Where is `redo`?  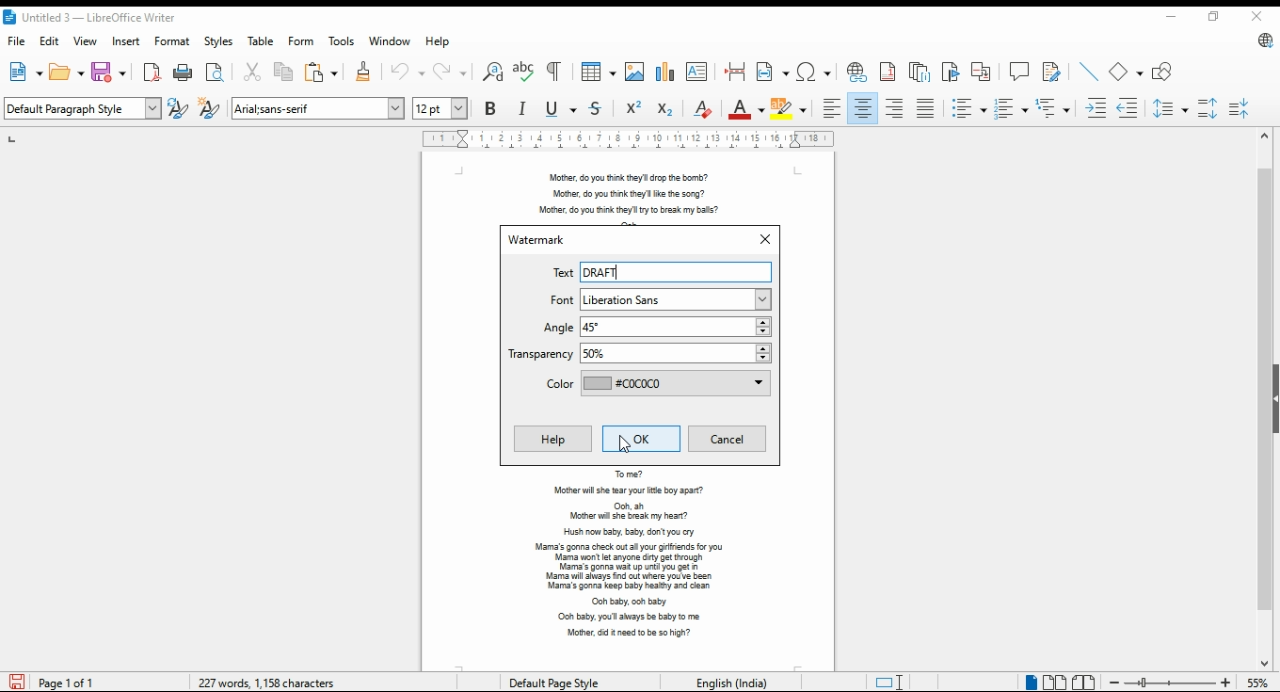
redo is located at coordinates (449, 71).